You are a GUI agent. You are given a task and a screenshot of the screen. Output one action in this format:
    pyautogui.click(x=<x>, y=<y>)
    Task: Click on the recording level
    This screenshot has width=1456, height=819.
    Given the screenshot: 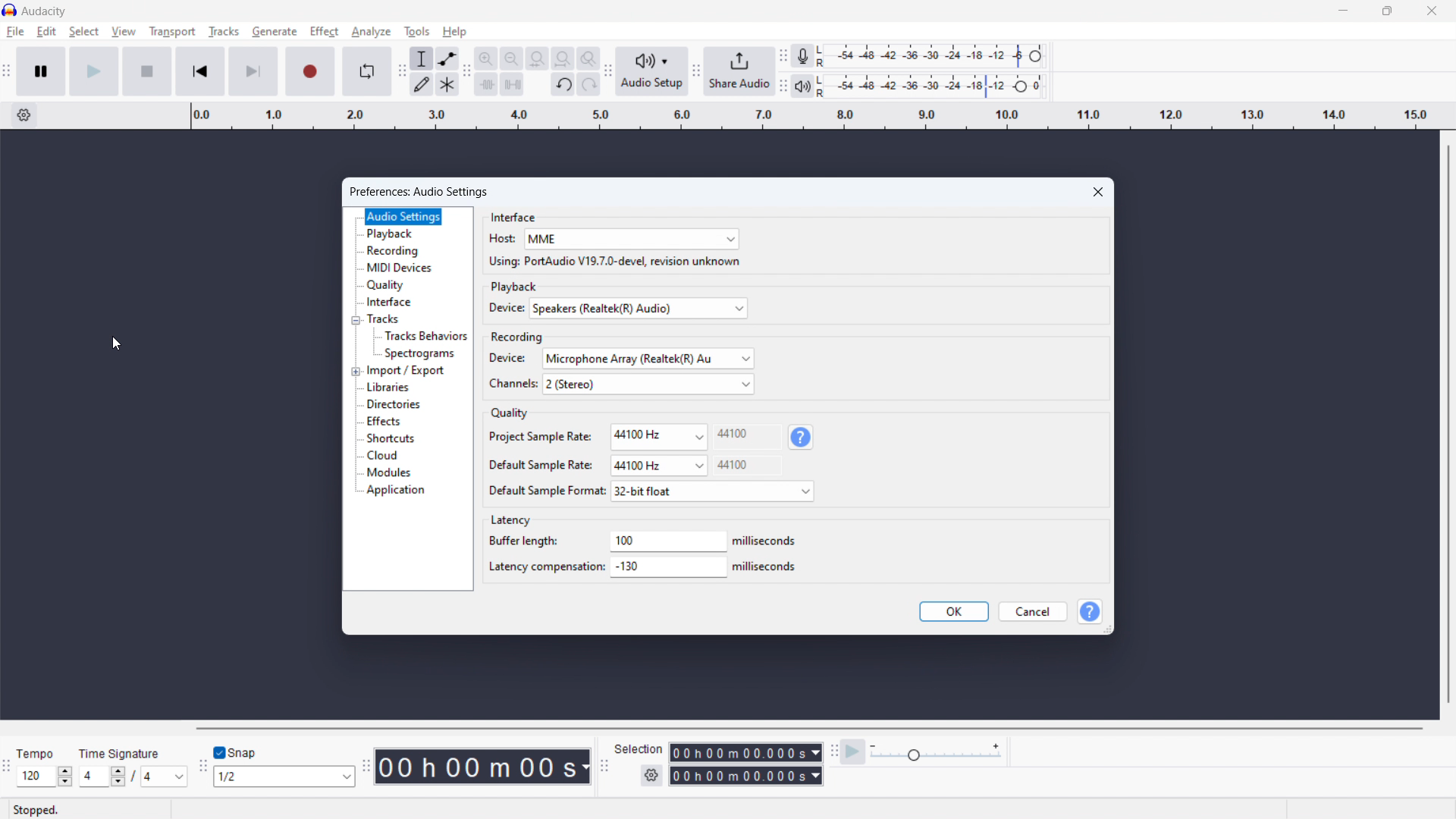 What is the action you would take?
    pyautogui.click(x=935, y=55)
    